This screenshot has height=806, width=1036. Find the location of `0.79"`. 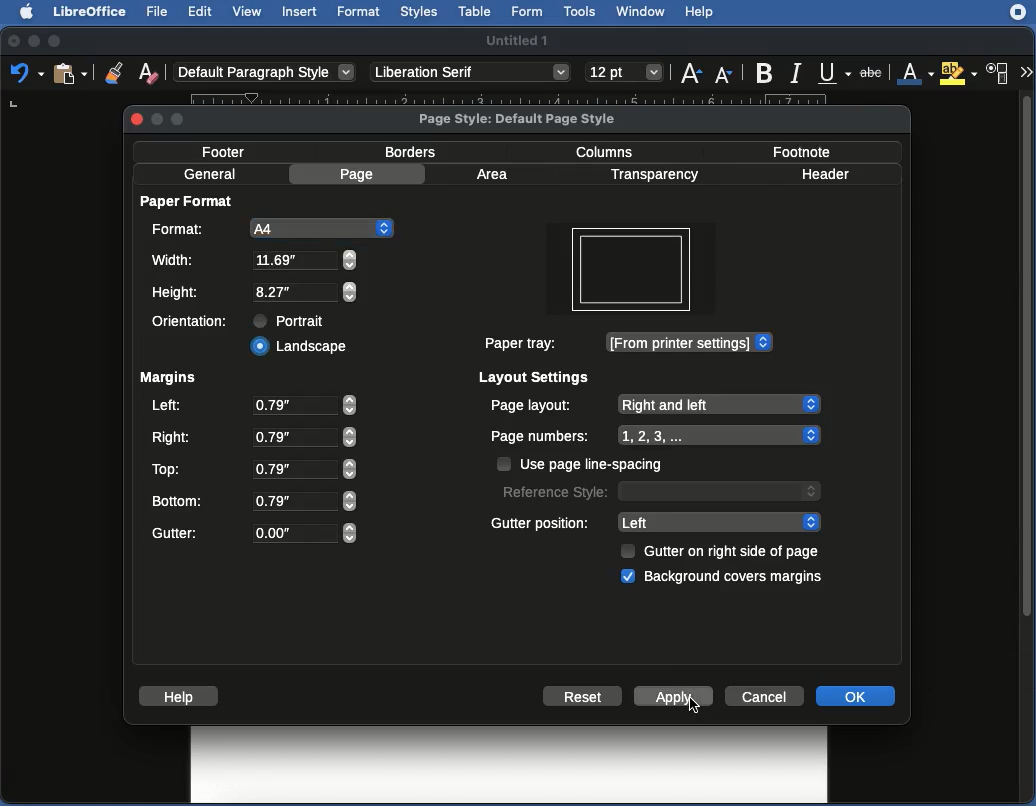

0.79" is located at coordinates (304, 501).